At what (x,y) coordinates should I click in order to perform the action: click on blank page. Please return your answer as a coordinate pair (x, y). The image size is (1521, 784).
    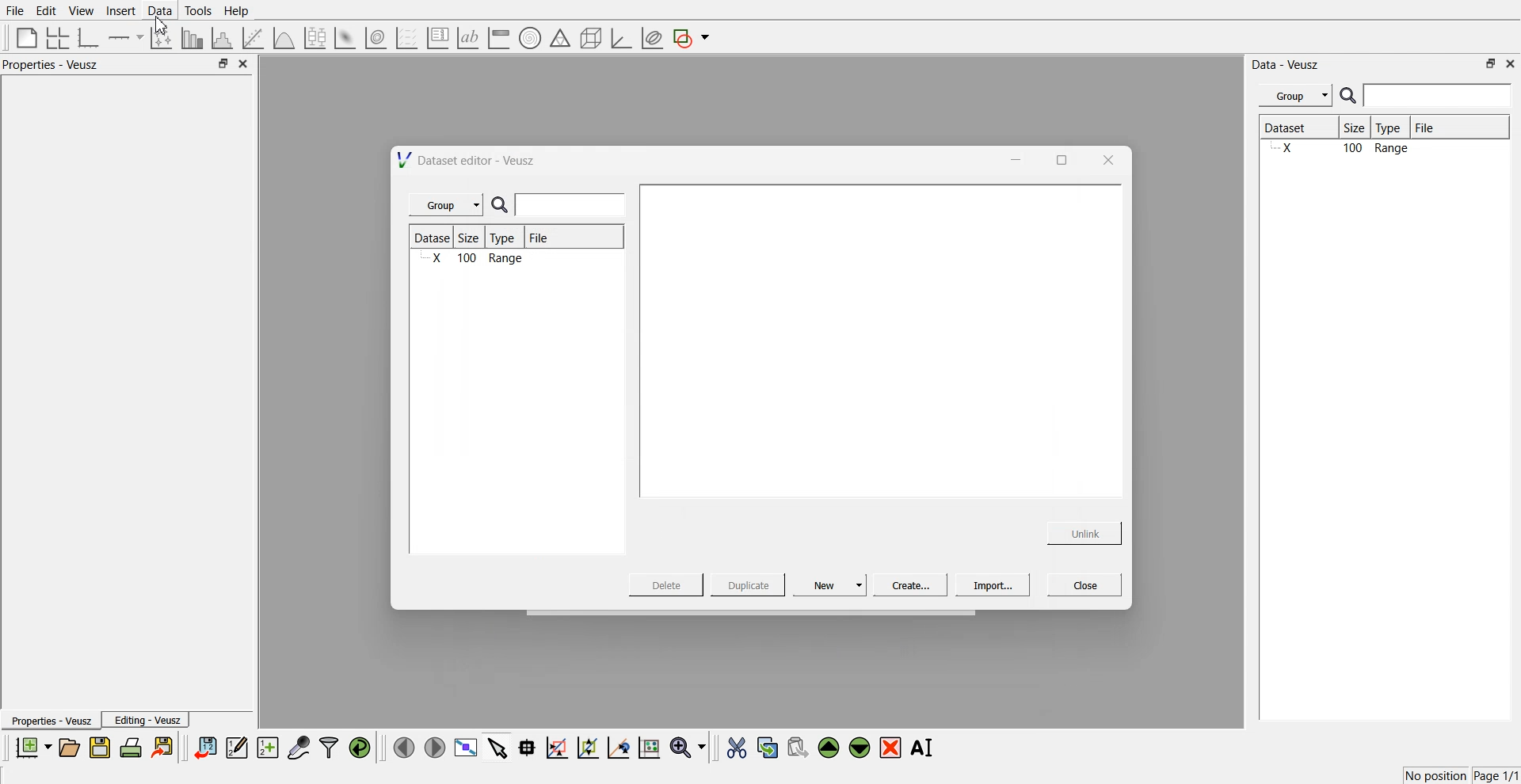
    Looking at the image, I should click on (23, 36).